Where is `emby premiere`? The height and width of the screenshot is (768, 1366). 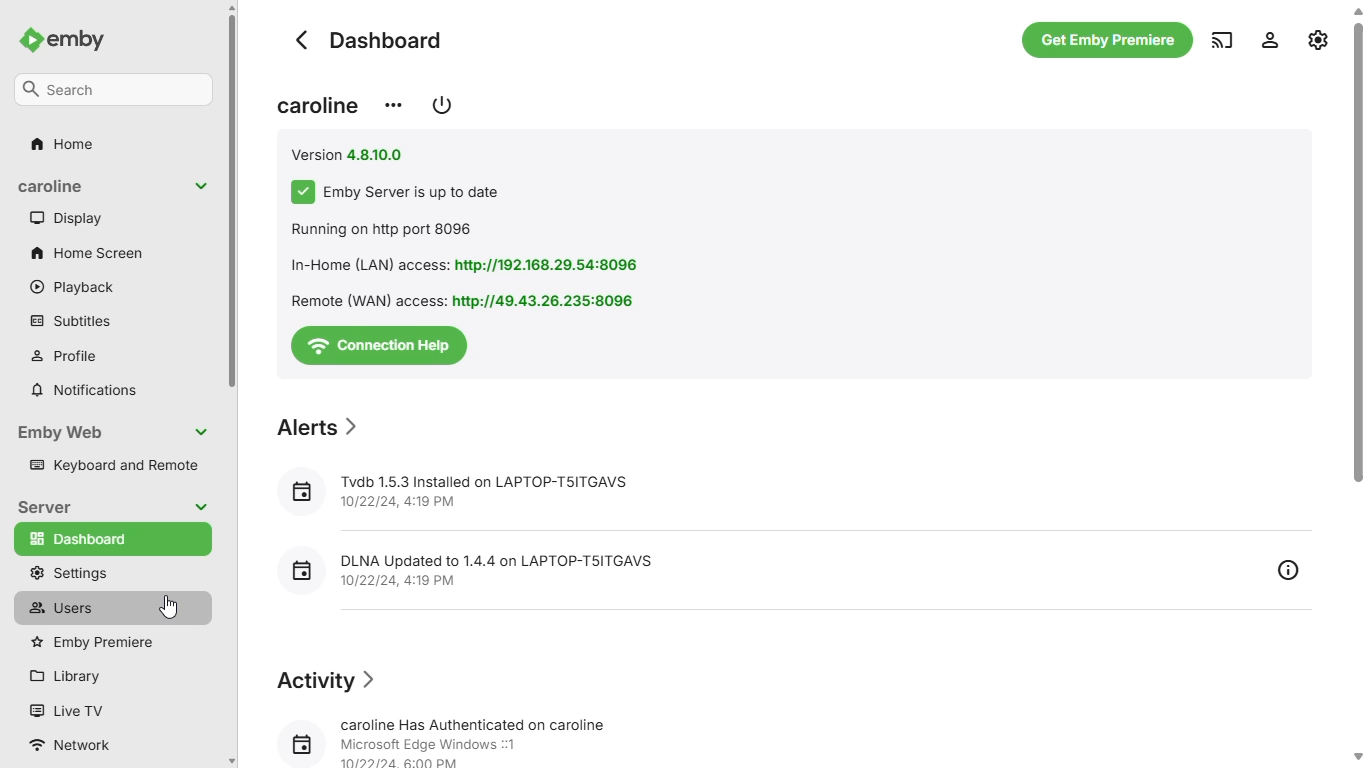
emby premiere is located at coordinates (91, 643).